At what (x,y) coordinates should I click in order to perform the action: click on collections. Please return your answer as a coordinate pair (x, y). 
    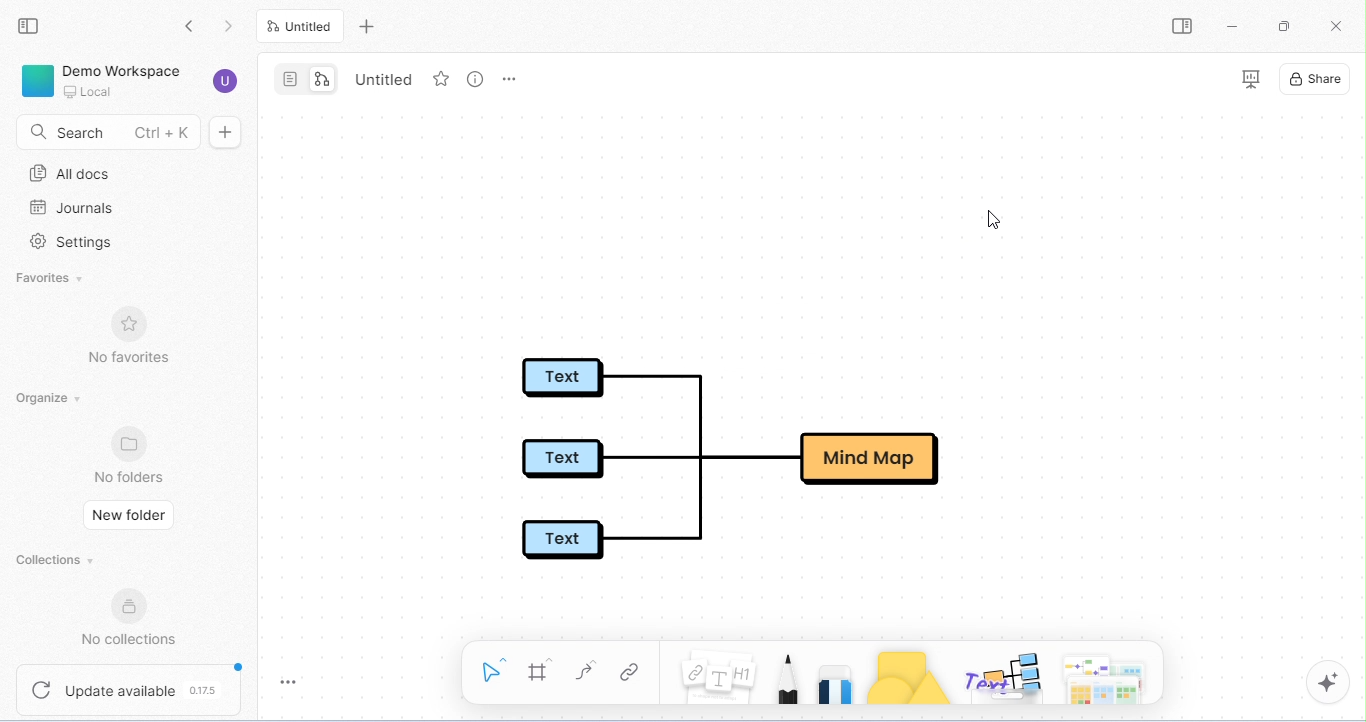
    Looking at the image, I should click on (58, 556).